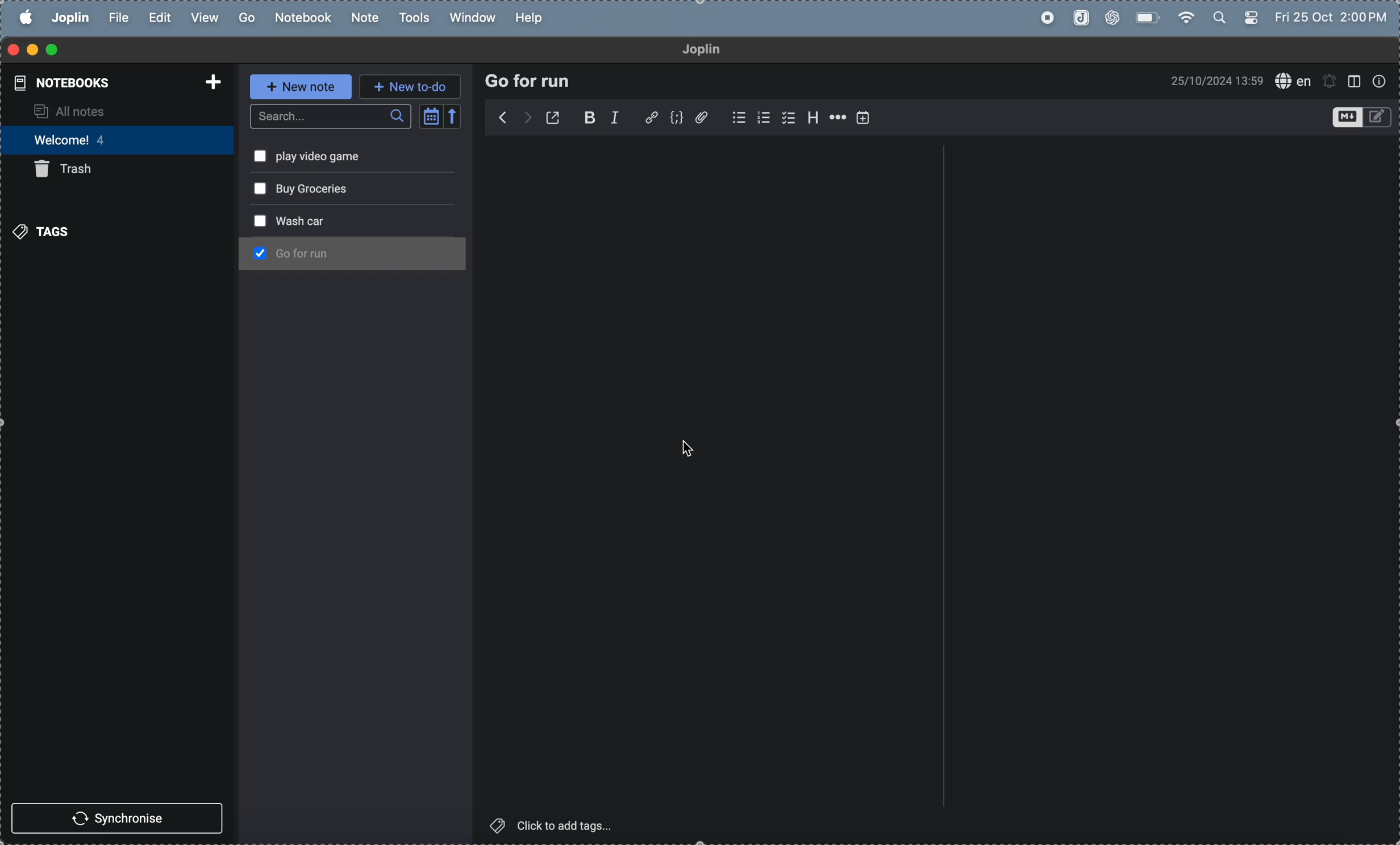 The height and width of the screenshot is (845, 1400). What do you see at coordinates (786, 118) in the screenshot?
I see `check box` at bounding box center [786, 118].